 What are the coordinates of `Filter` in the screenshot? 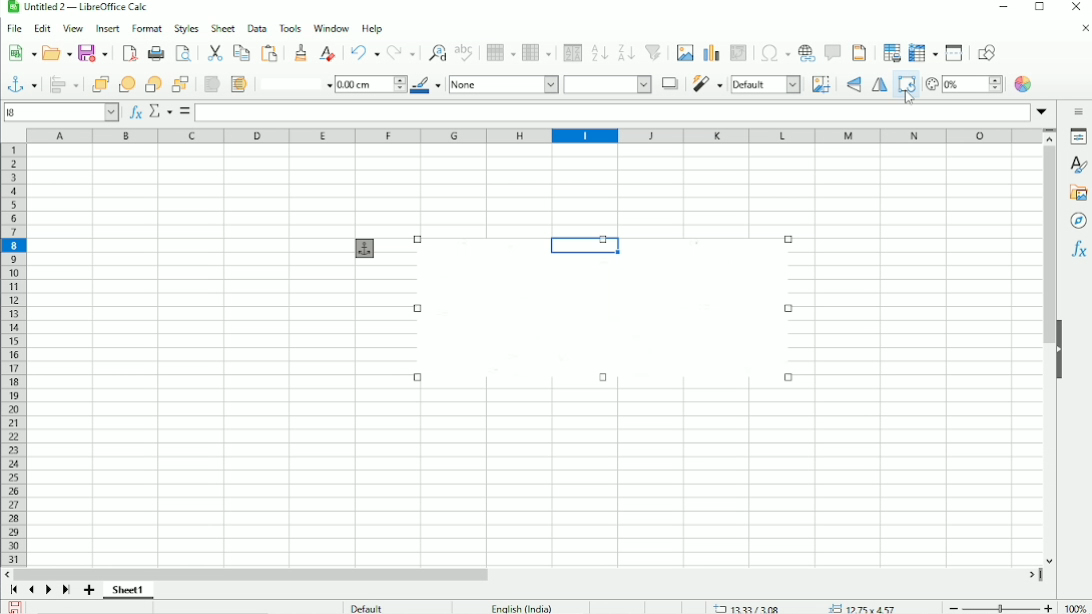 It's located at (707, 84).